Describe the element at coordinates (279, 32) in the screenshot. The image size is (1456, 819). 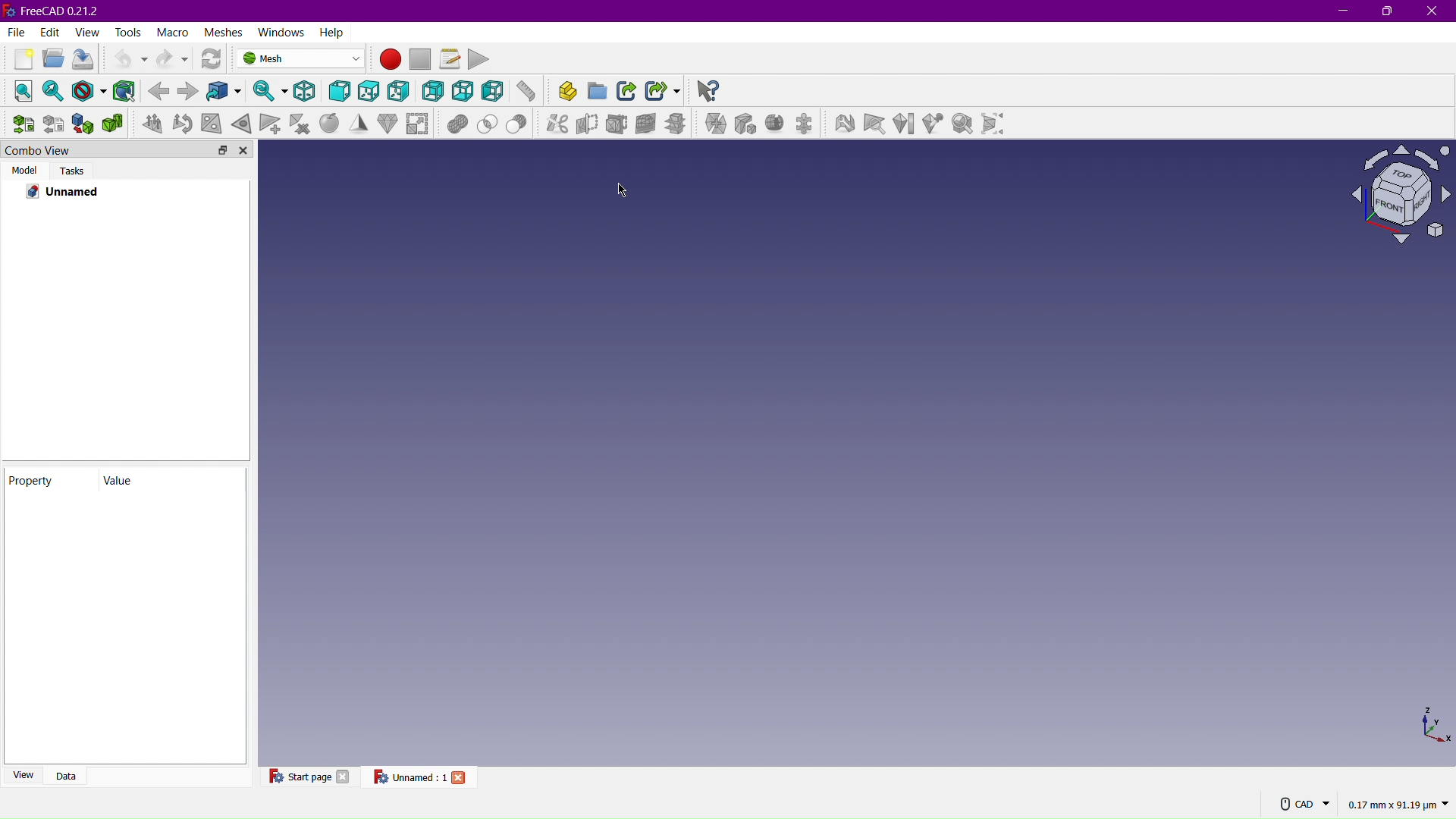
I see `Windows` at that location.